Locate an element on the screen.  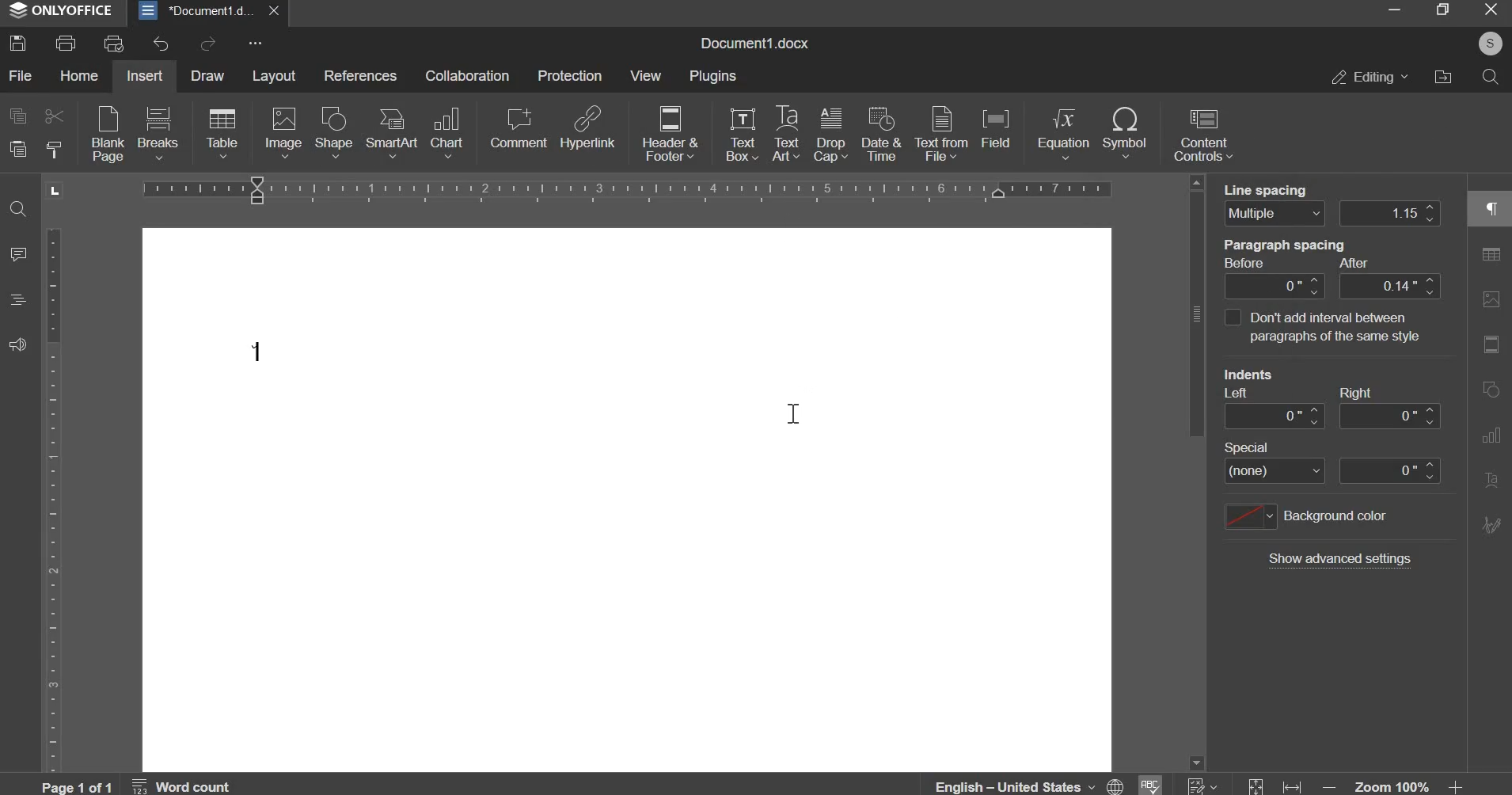
maximize is located at coordinates (1442, 9).